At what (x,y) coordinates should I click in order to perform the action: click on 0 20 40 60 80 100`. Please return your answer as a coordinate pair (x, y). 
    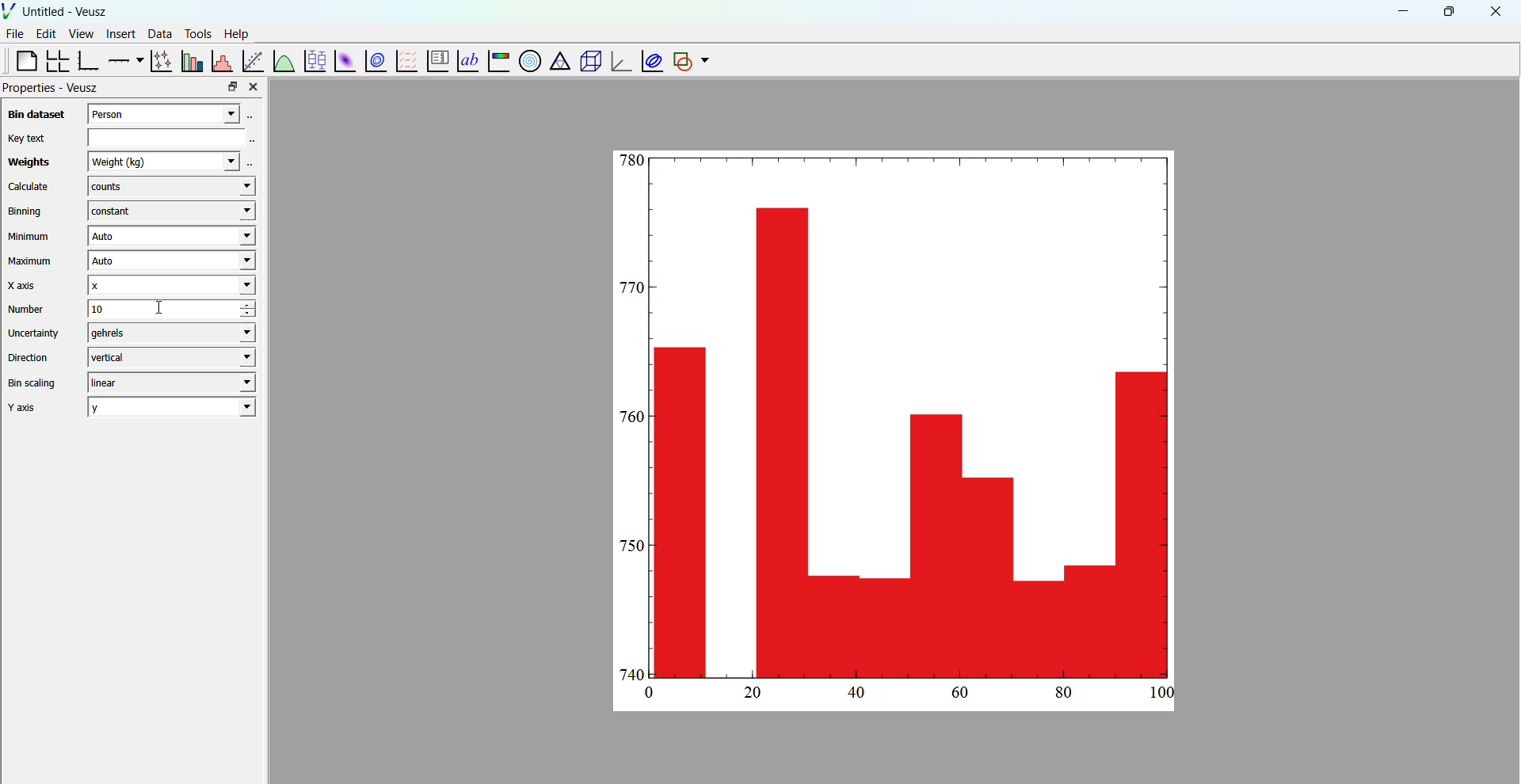
    Looking at the image, I should click on (902, 696).